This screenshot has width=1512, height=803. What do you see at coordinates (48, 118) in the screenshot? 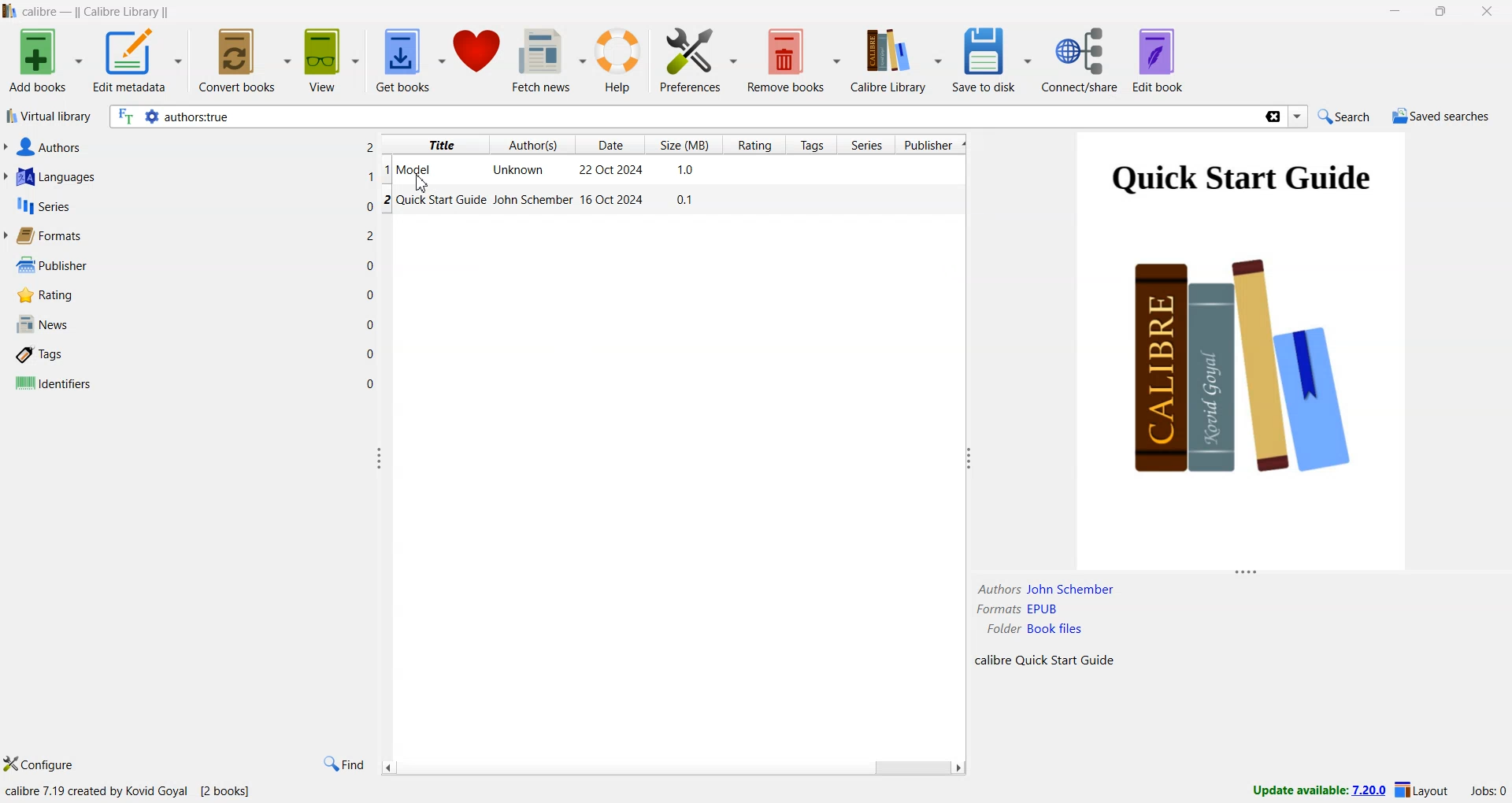
I see `virtual library` at bounding box center [48, 118].